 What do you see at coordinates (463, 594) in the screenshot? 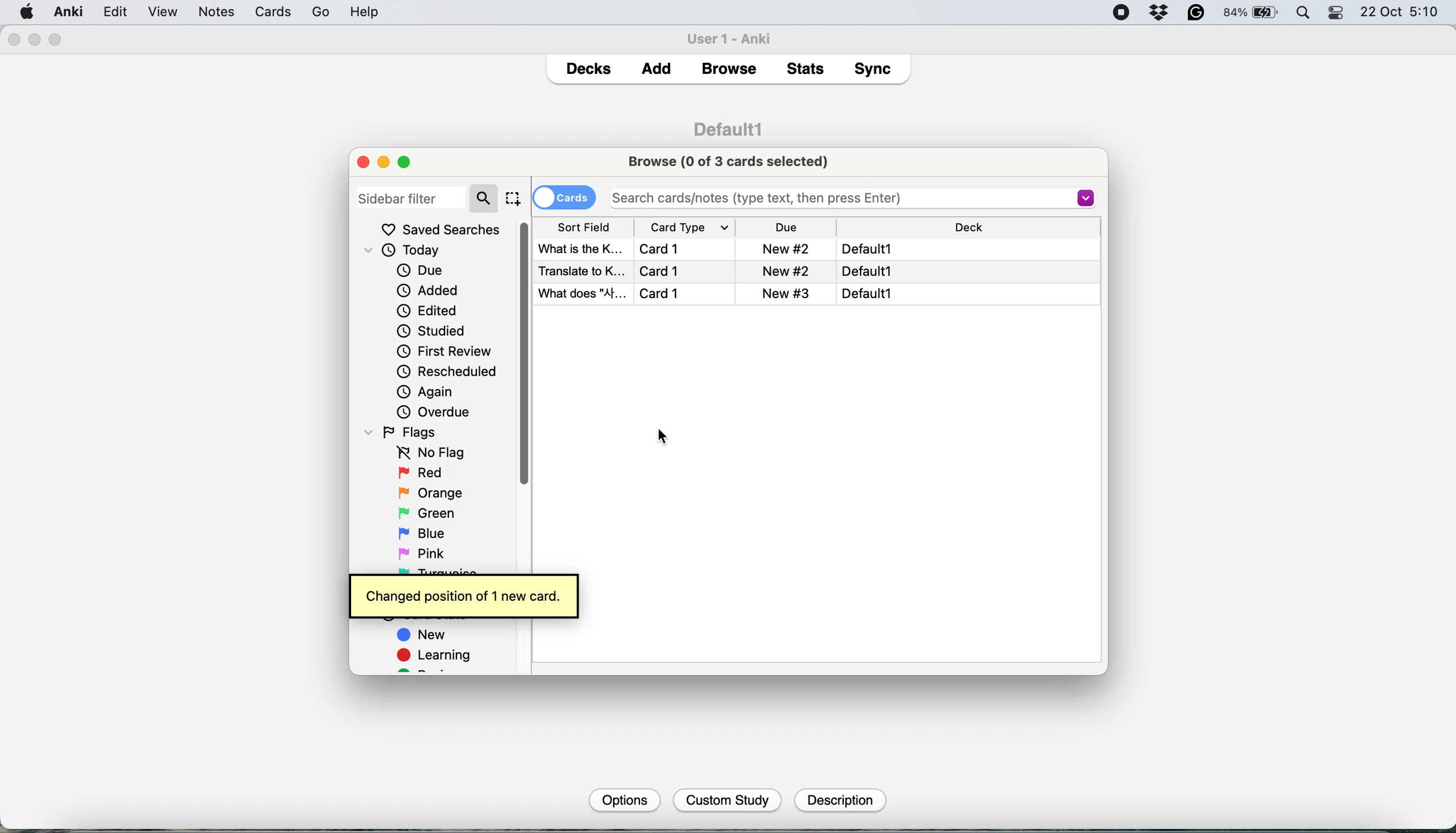
I see `Changed position of 1 new card.` at bounding box center [463, 594].